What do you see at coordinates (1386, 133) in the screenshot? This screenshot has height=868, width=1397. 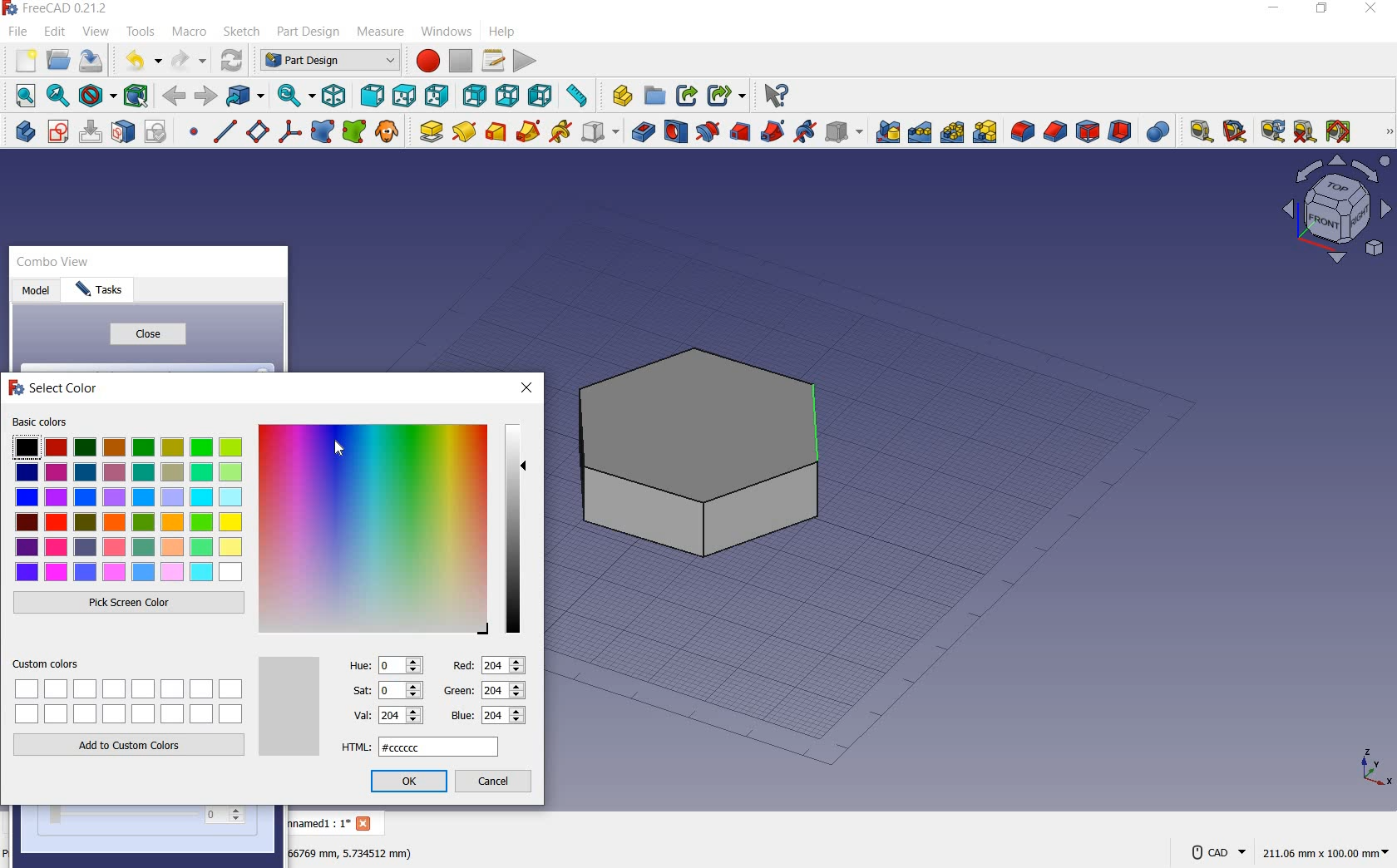 I see `MEASURE` at bounding box center [1386, 133].